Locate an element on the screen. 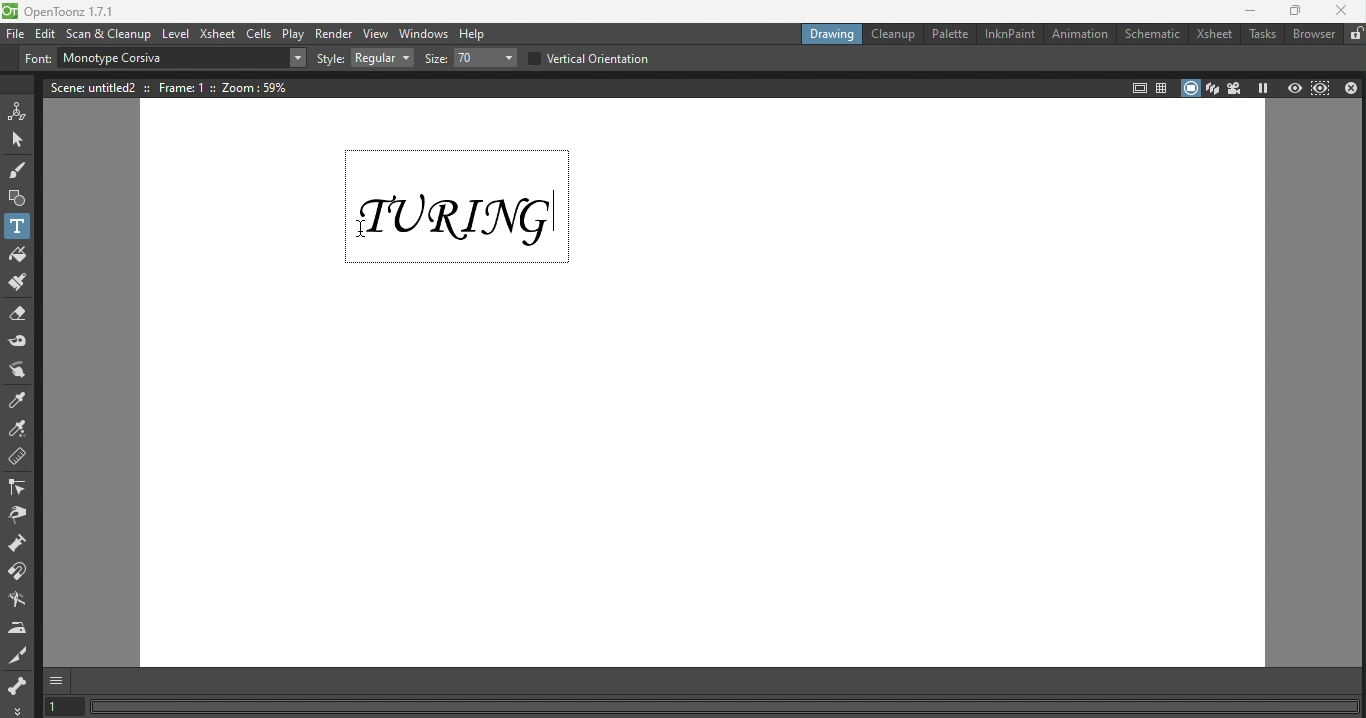 The height and width of the screenshot is (718, 1366). Scene details is located at coordinates (167, 89).